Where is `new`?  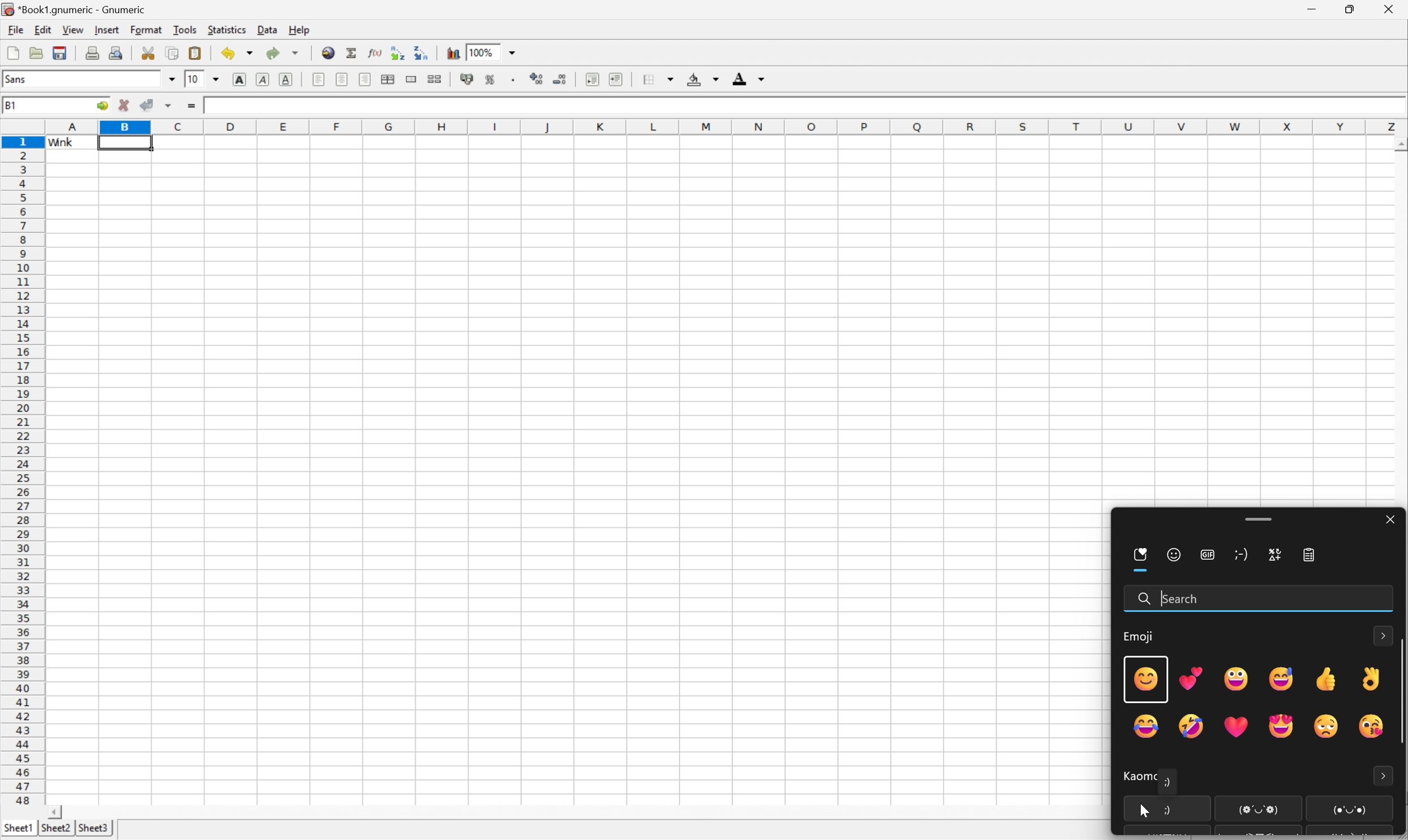
new is located at coordinates (11, 53).